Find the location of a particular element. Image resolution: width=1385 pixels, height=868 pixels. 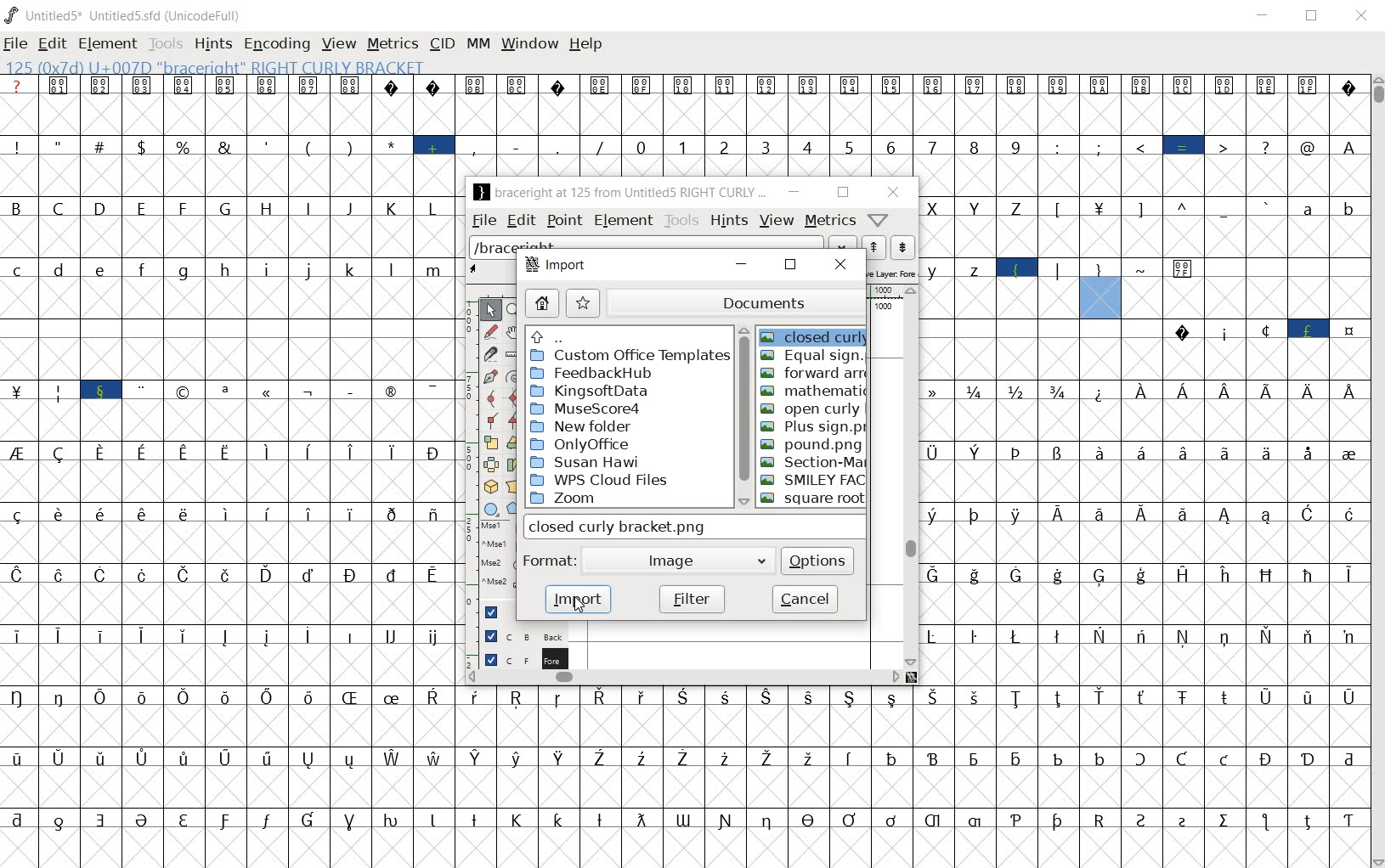

glyph characters is located at coordinates (227, 472).